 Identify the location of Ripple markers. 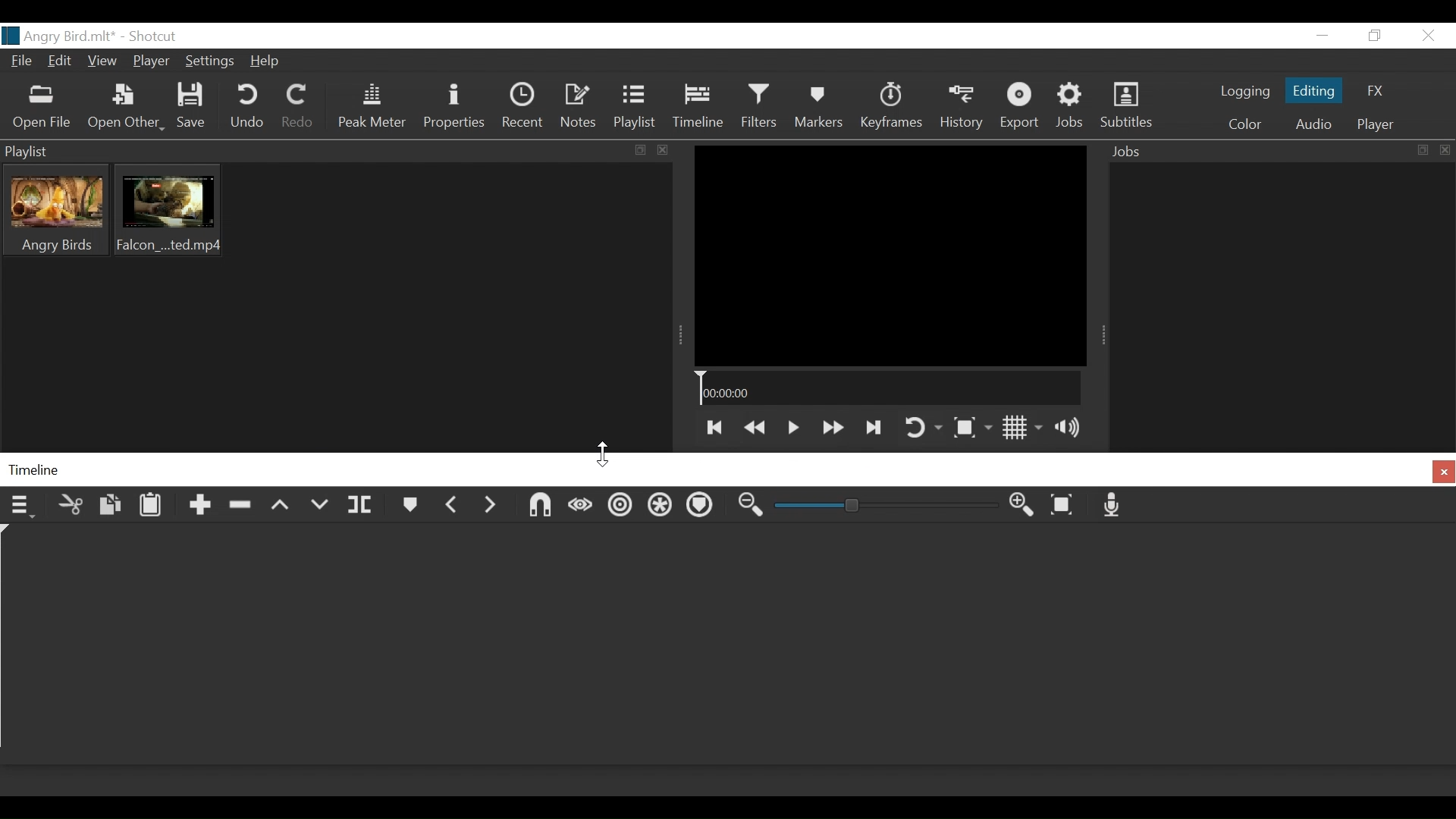
(704, 507).